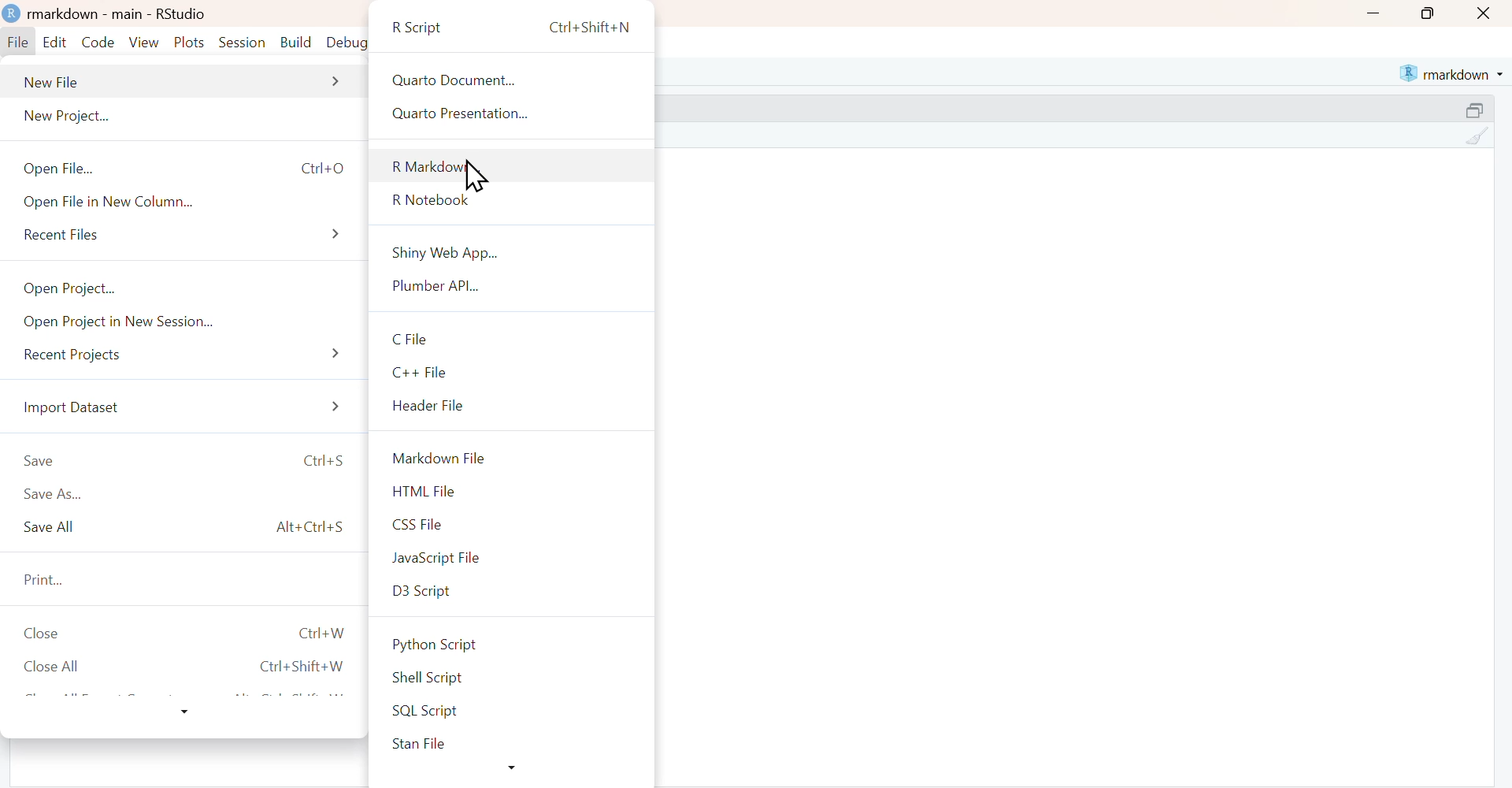 This screenshot has height=788, width=1512. What do you see at coordinates (191, 166) in the screenshot?
I see `open file` at bounding box center [191, 166].